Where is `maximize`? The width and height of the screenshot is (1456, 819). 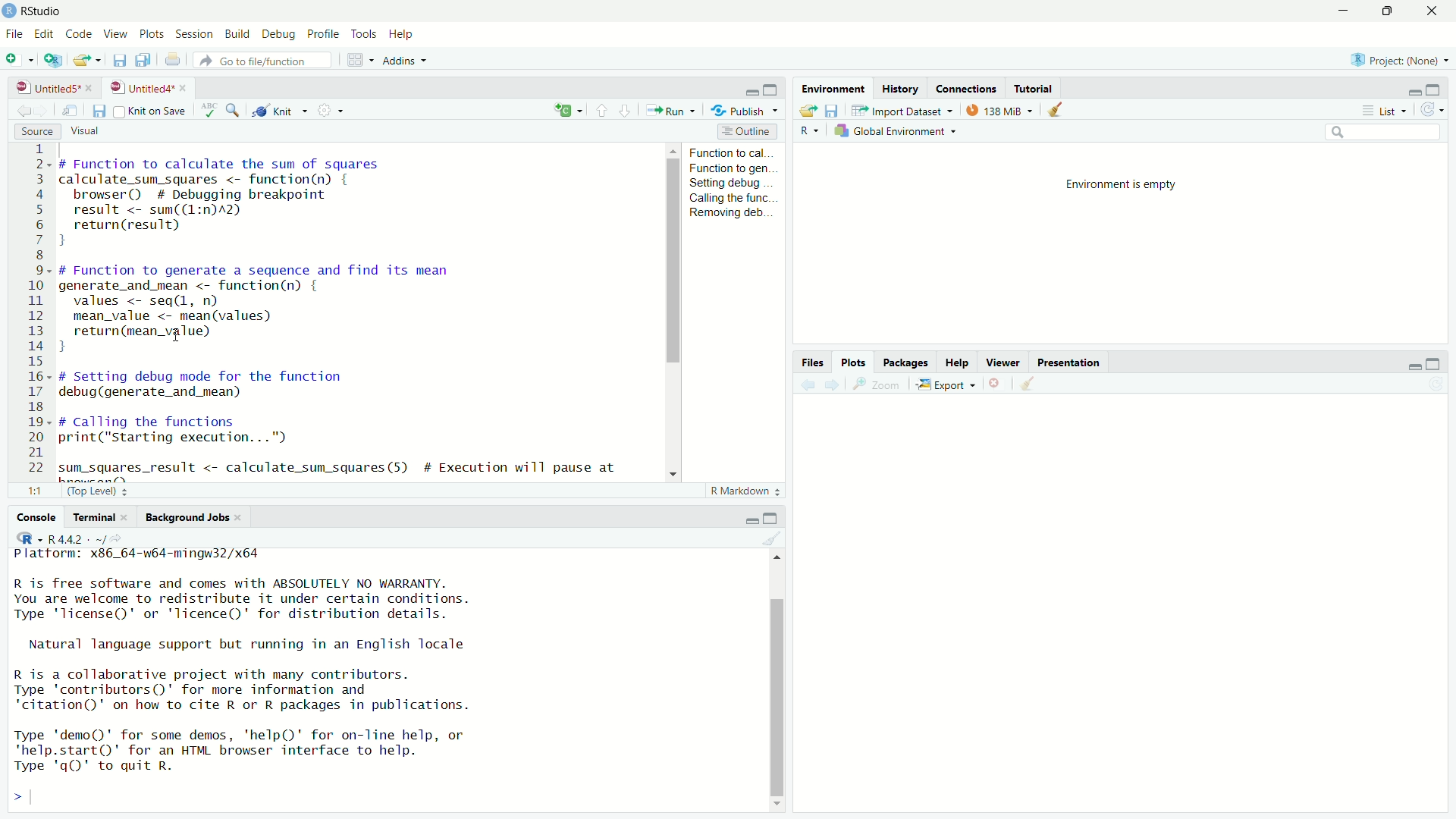 maximize is located at coordinates (773, 516).